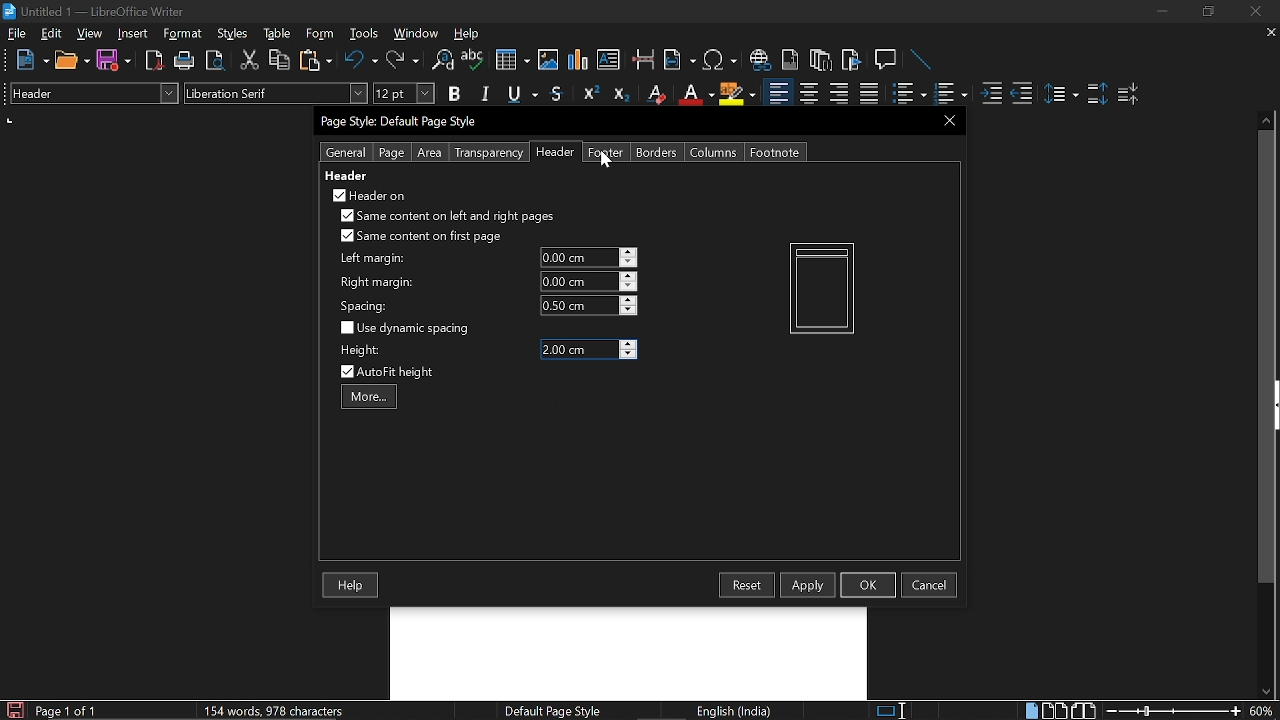  I want to click on Tools, so click(364, 34).